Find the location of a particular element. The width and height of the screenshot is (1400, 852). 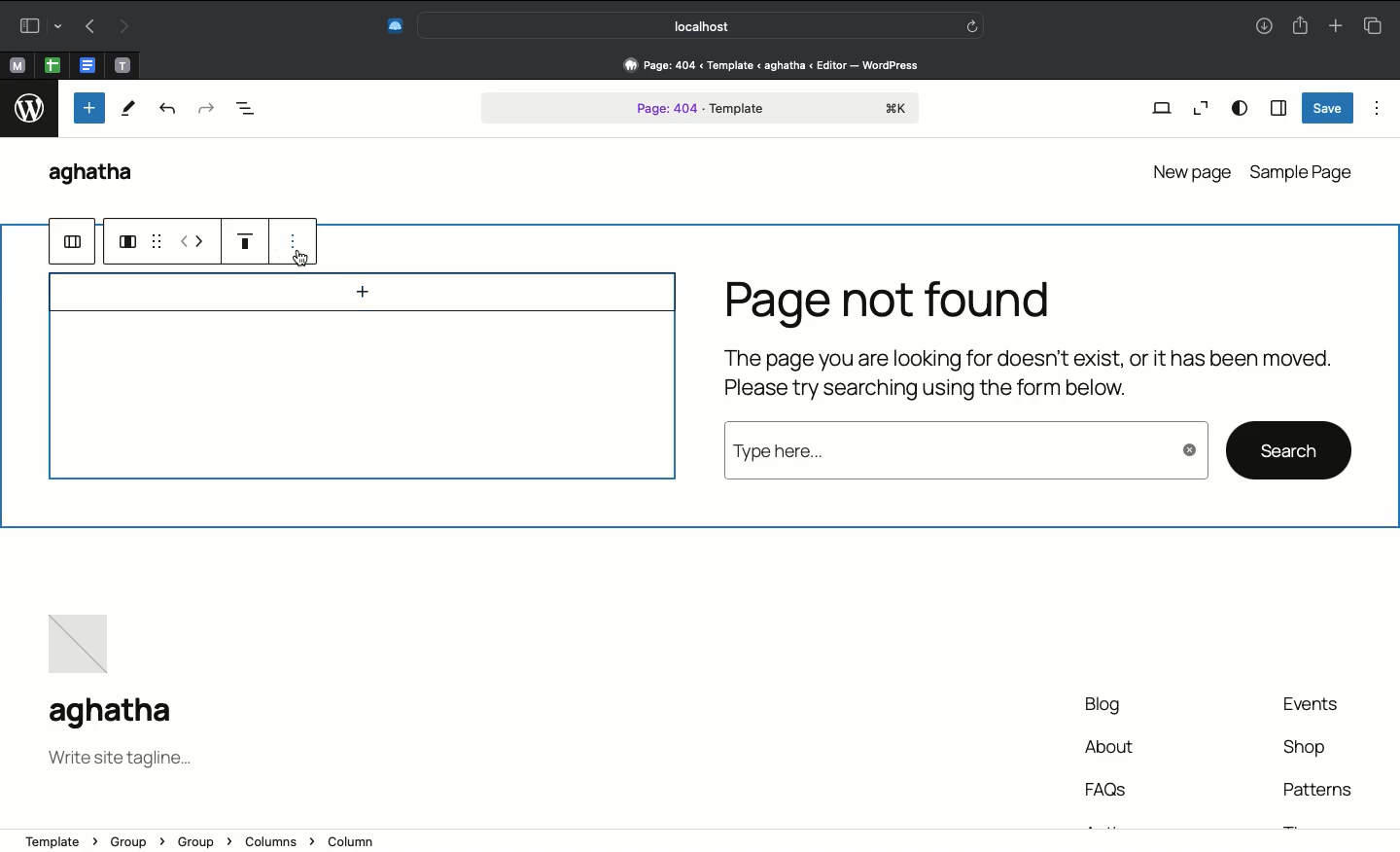

Image box is located at coordinates (360, 376).